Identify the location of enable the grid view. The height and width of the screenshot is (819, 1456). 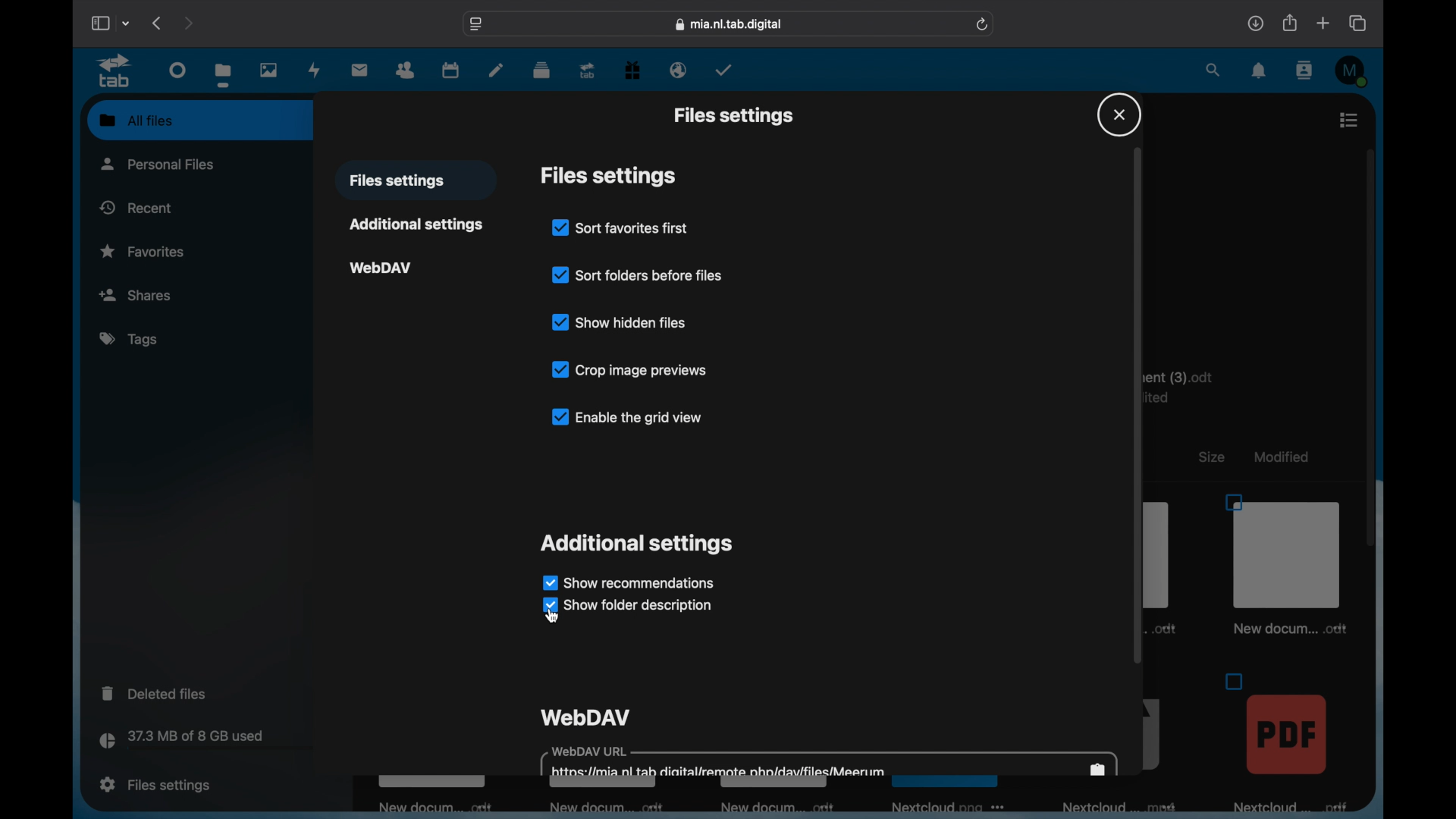
(625, 416).